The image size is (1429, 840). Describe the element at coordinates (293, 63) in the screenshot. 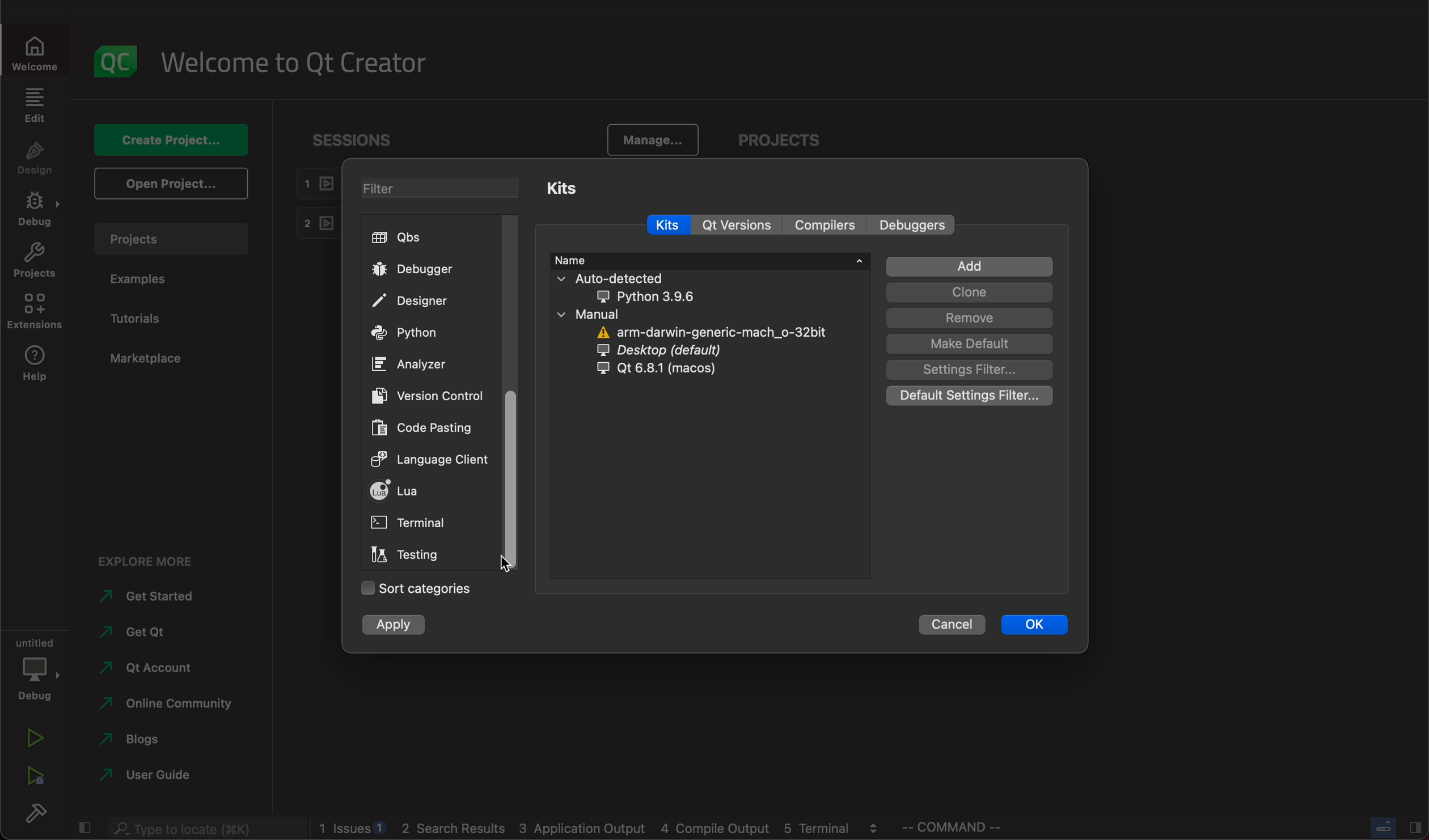

I see `welcome` at that location.